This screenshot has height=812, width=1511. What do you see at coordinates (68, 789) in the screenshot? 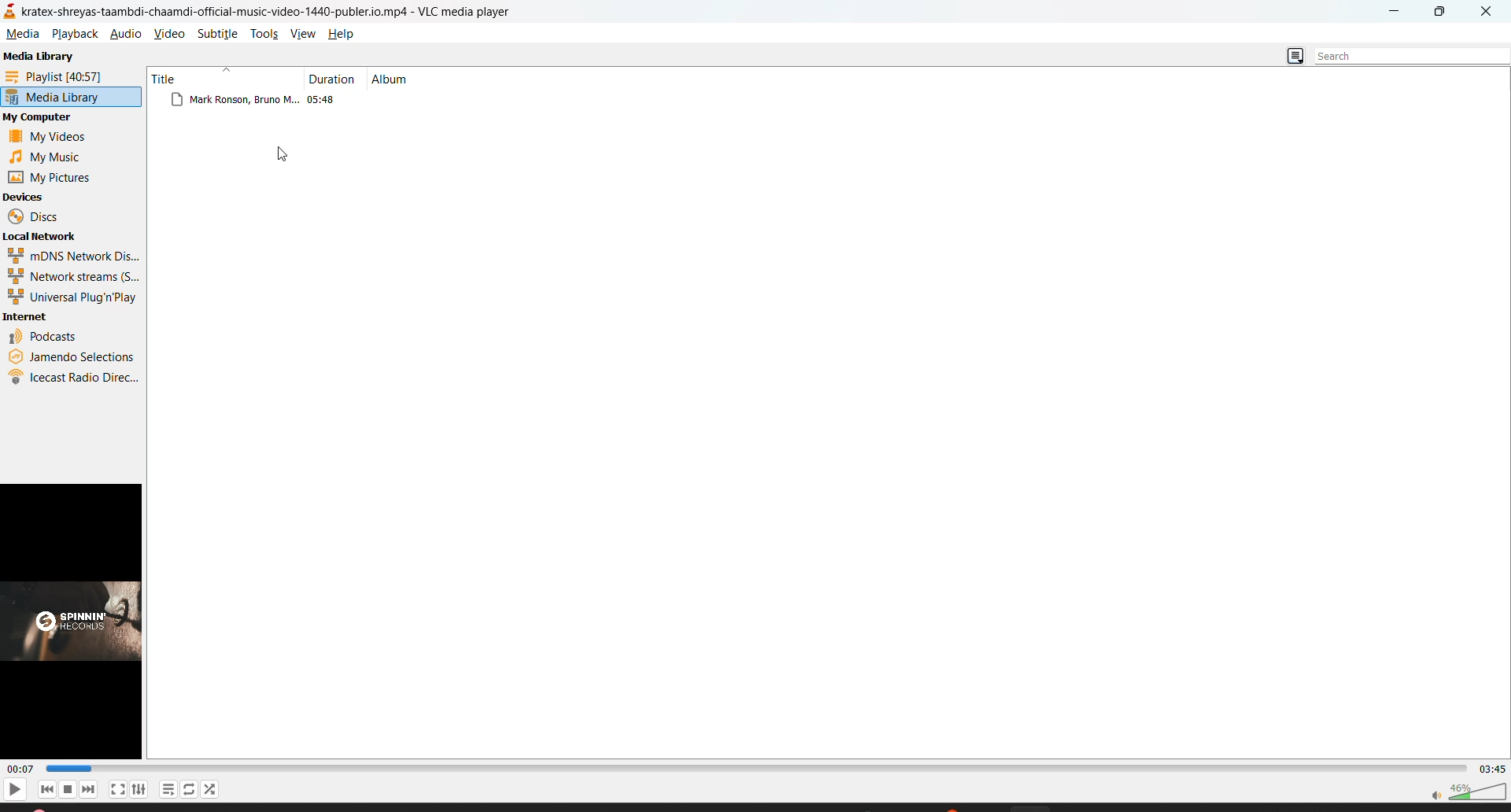
I see `stop` at bounding box center [68, 789].